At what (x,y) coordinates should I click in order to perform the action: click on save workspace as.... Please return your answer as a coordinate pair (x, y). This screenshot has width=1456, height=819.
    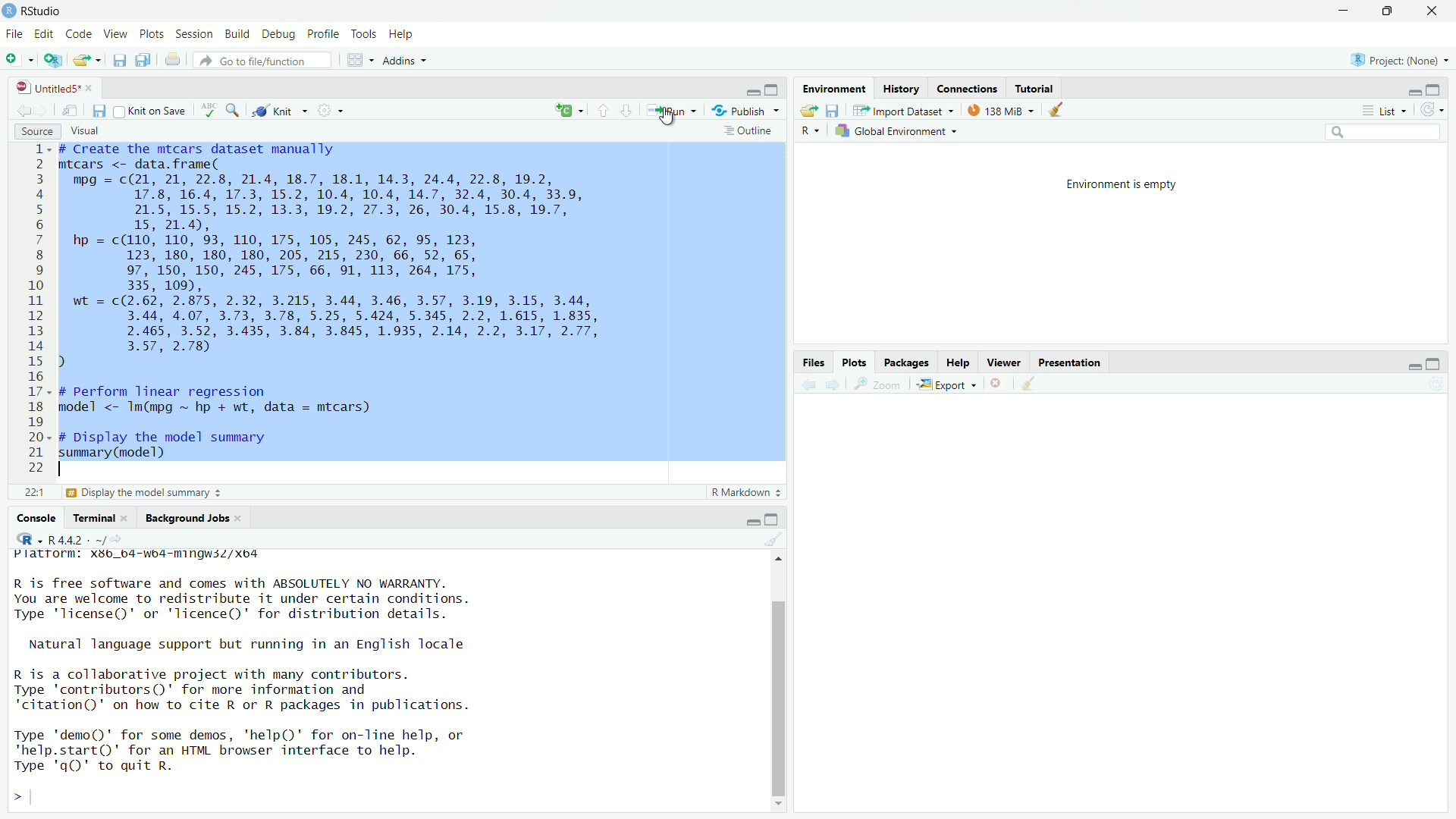
    Looking at the image, I should click on (833, 111).